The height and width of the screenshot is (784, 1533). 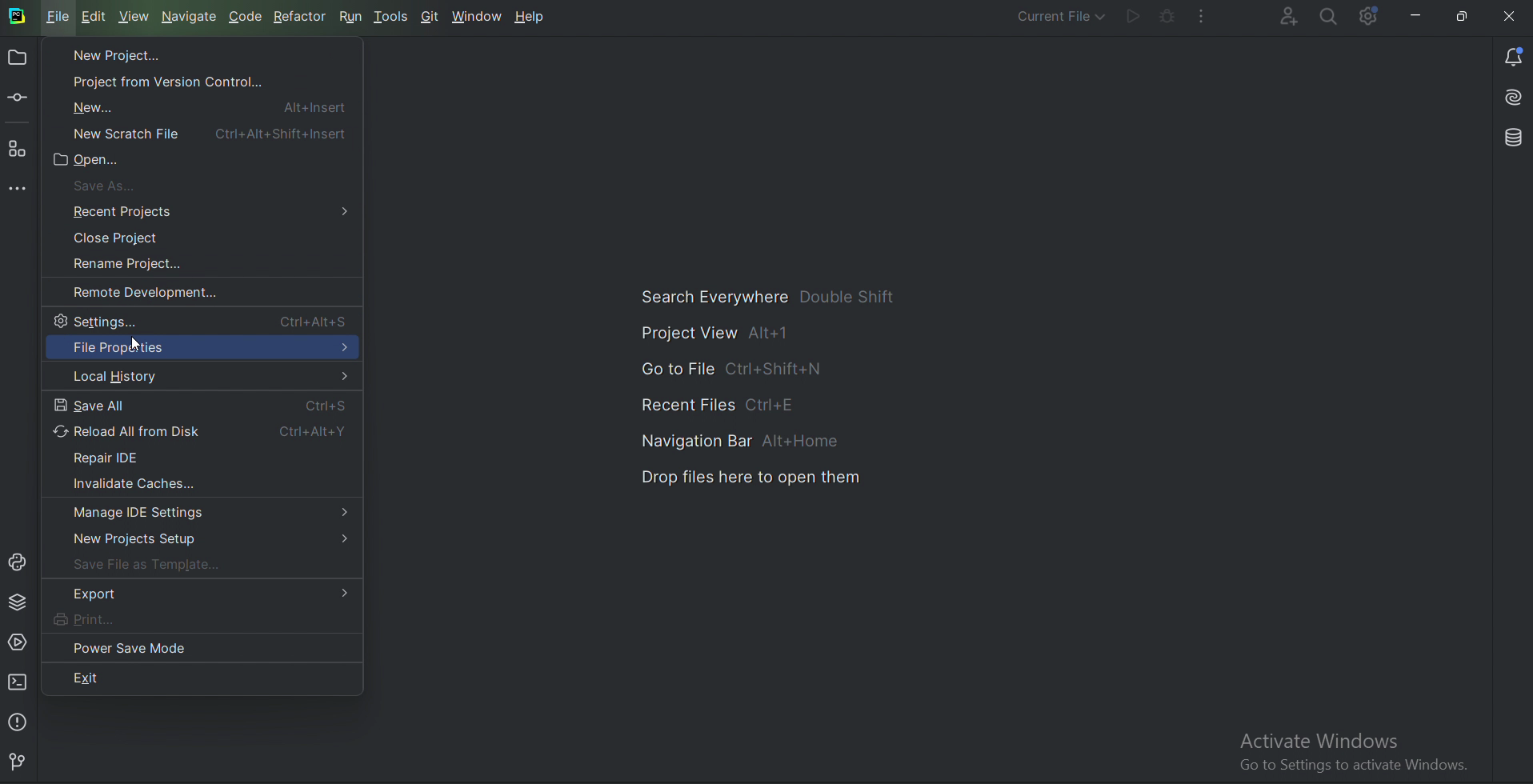 What do you see at coordinates (110, 54) in the screenshot?
I see `New project` at bounding box center [110, 54].